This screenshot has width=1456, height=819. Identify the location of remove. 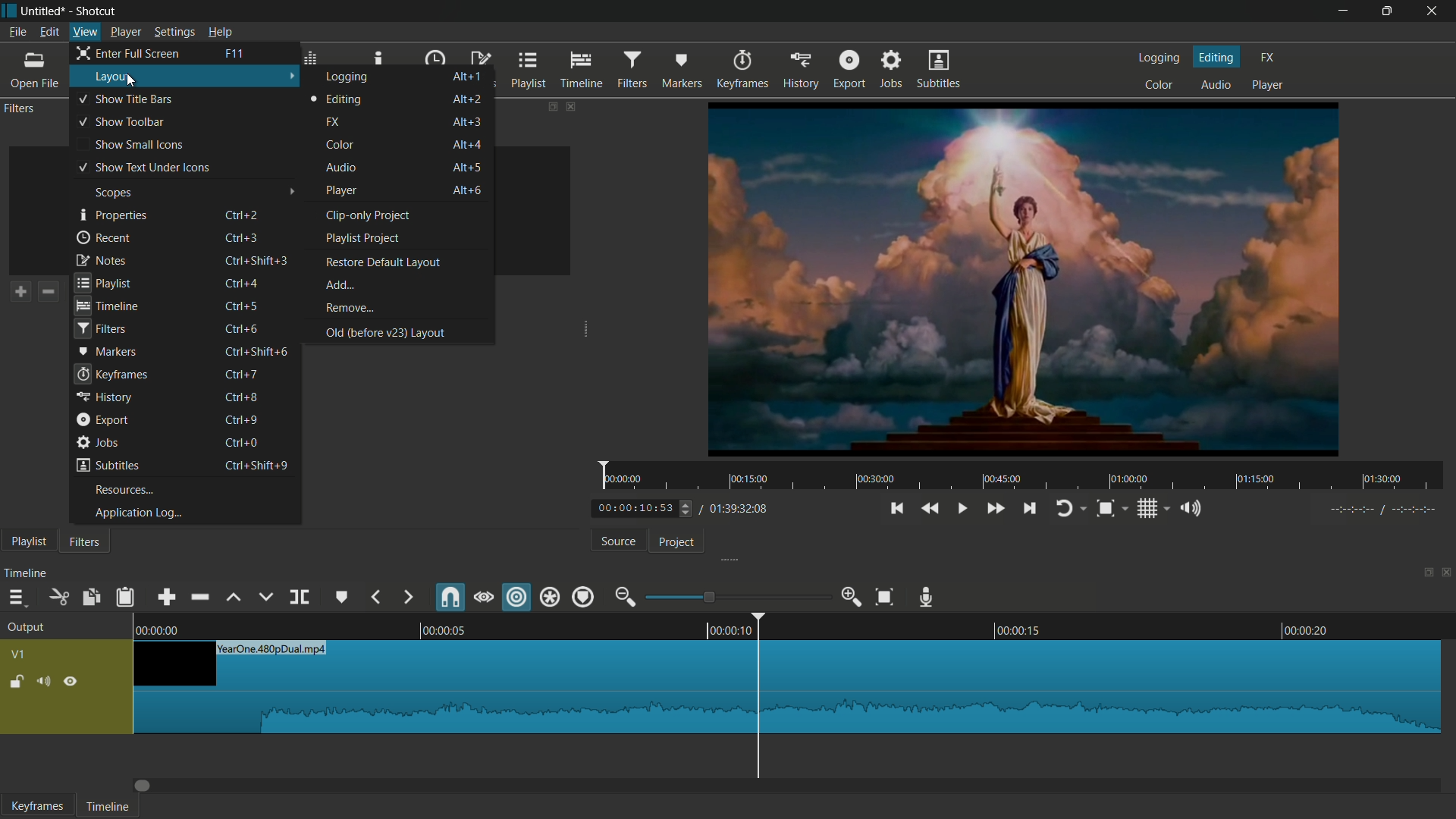
(349, 309).